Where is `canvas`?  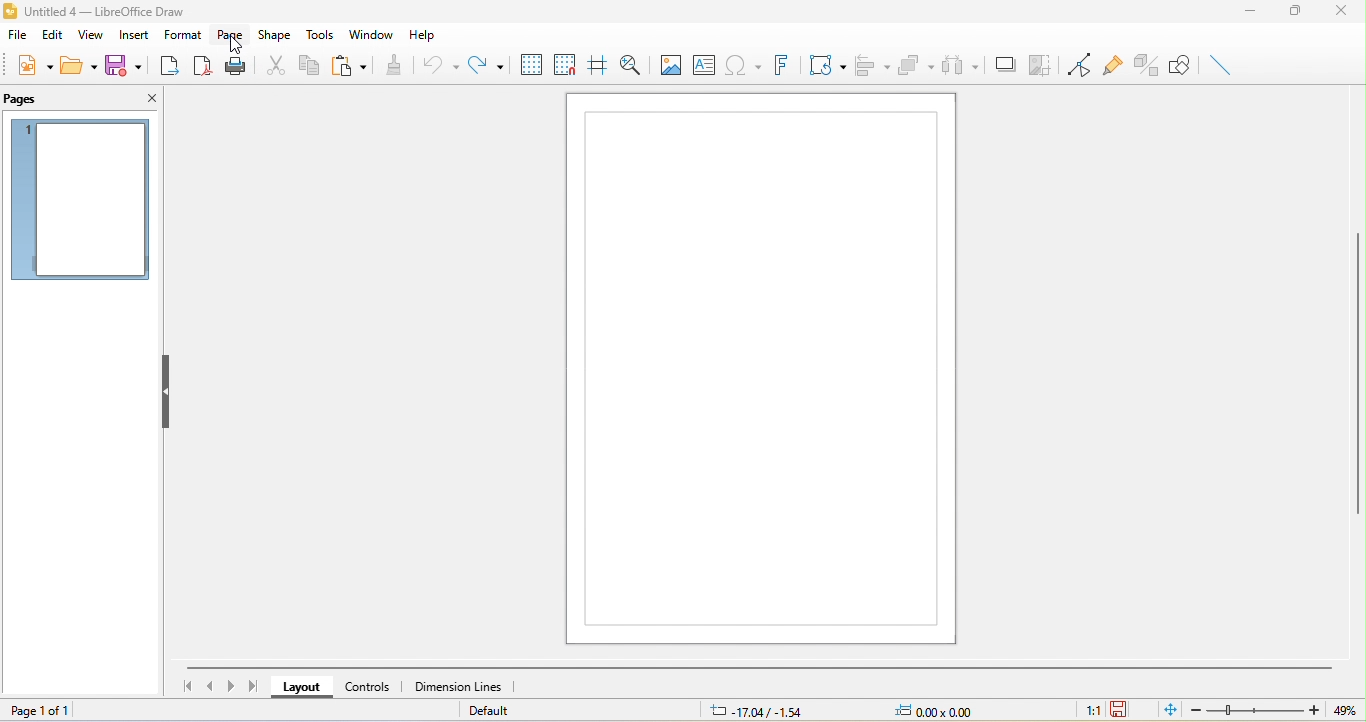 canvas is located at coordinates (762, 368).